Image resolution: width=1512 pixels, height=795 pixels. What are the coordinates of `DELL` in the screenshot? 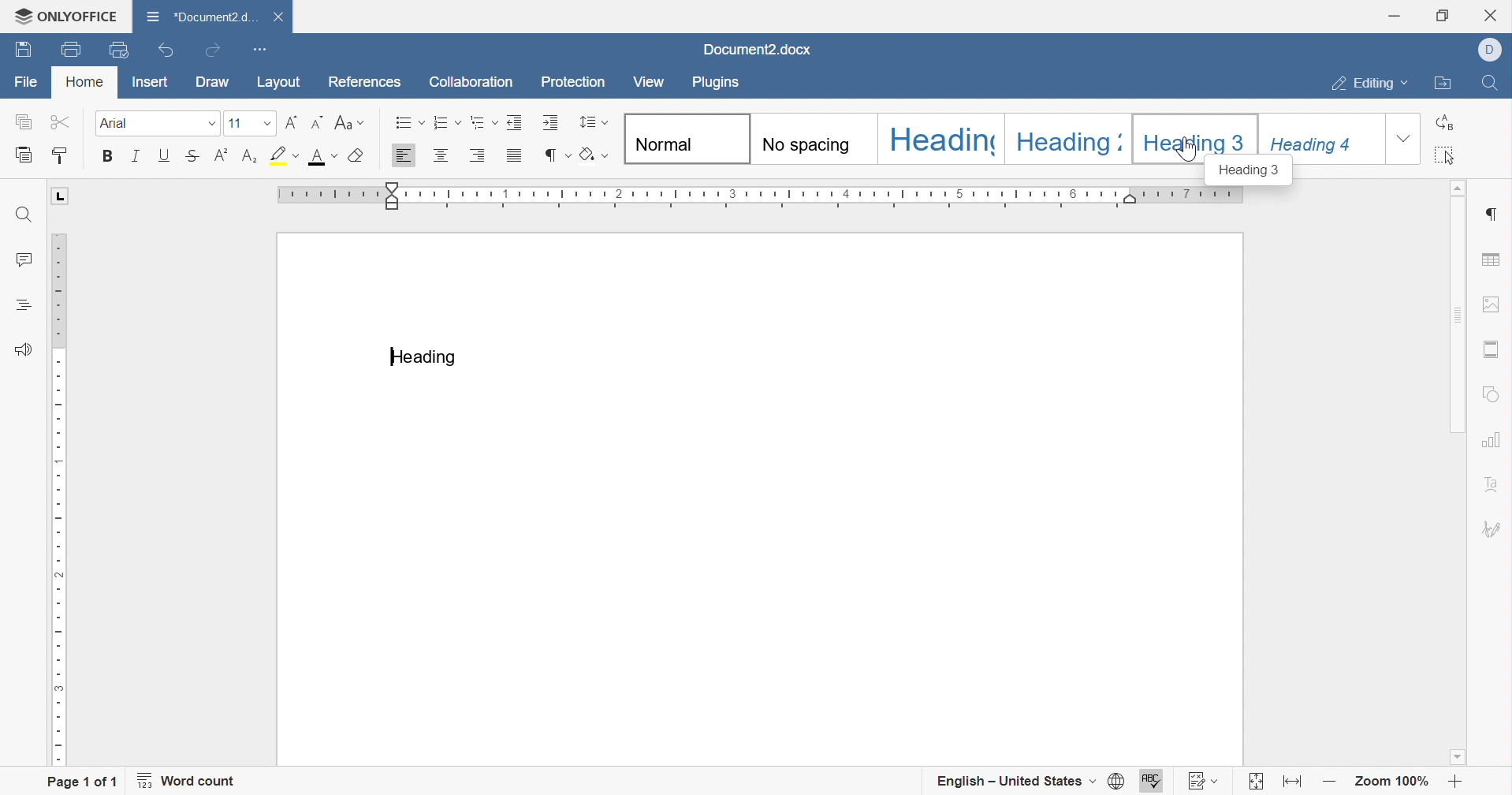 It's located at (1492, 52).